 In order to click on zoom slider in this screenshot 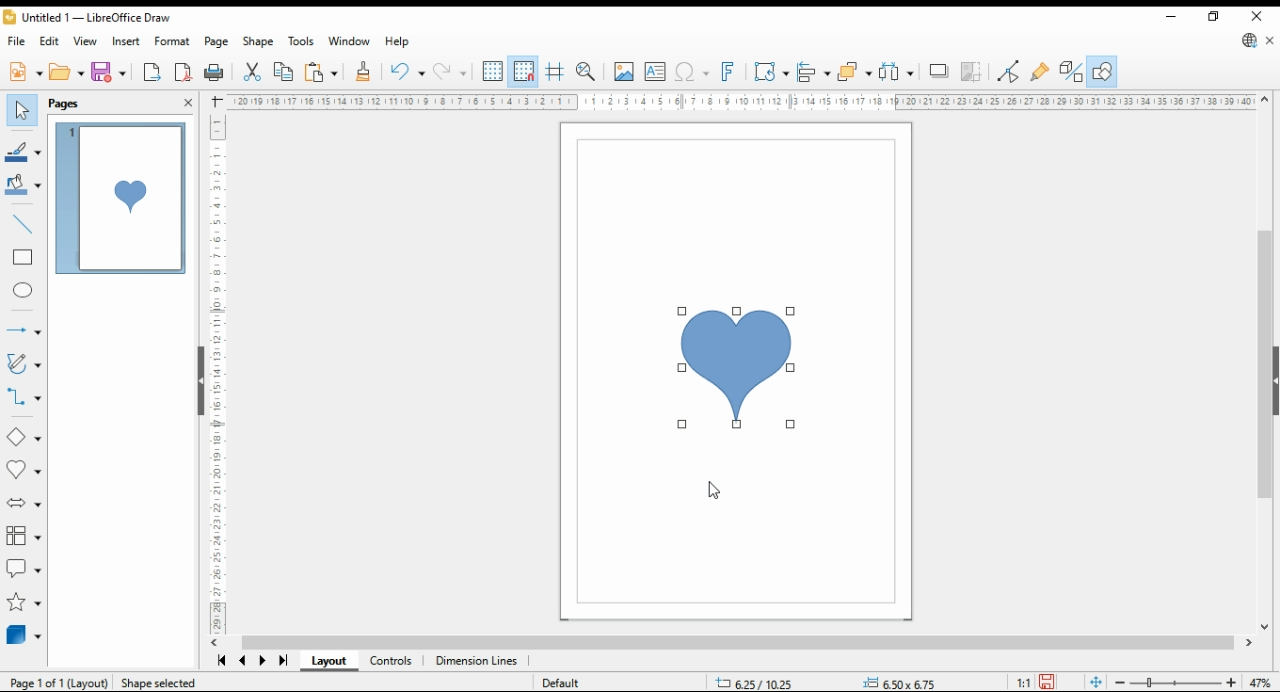, I will do `click(1173, 681)`.